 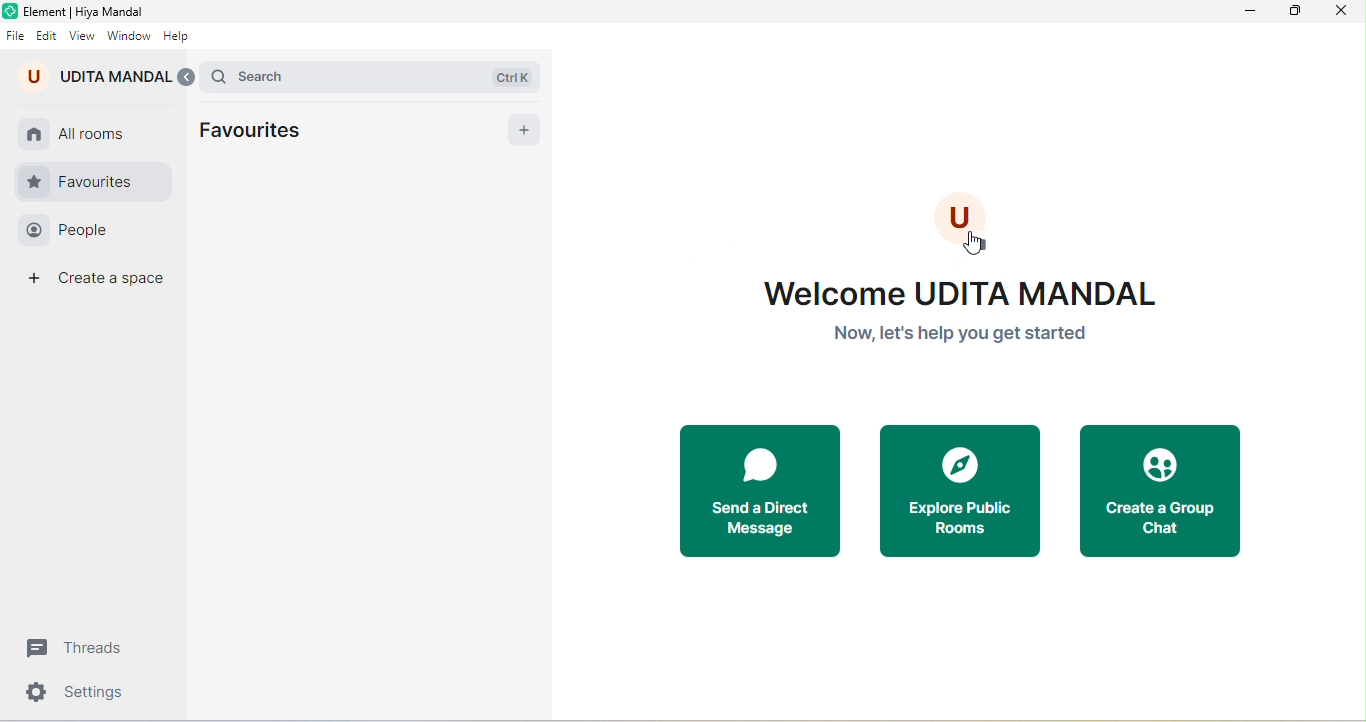 What do you see at coordinates (521, 132) in the screenshot?
I see `add` at bounding box center [521, 132].